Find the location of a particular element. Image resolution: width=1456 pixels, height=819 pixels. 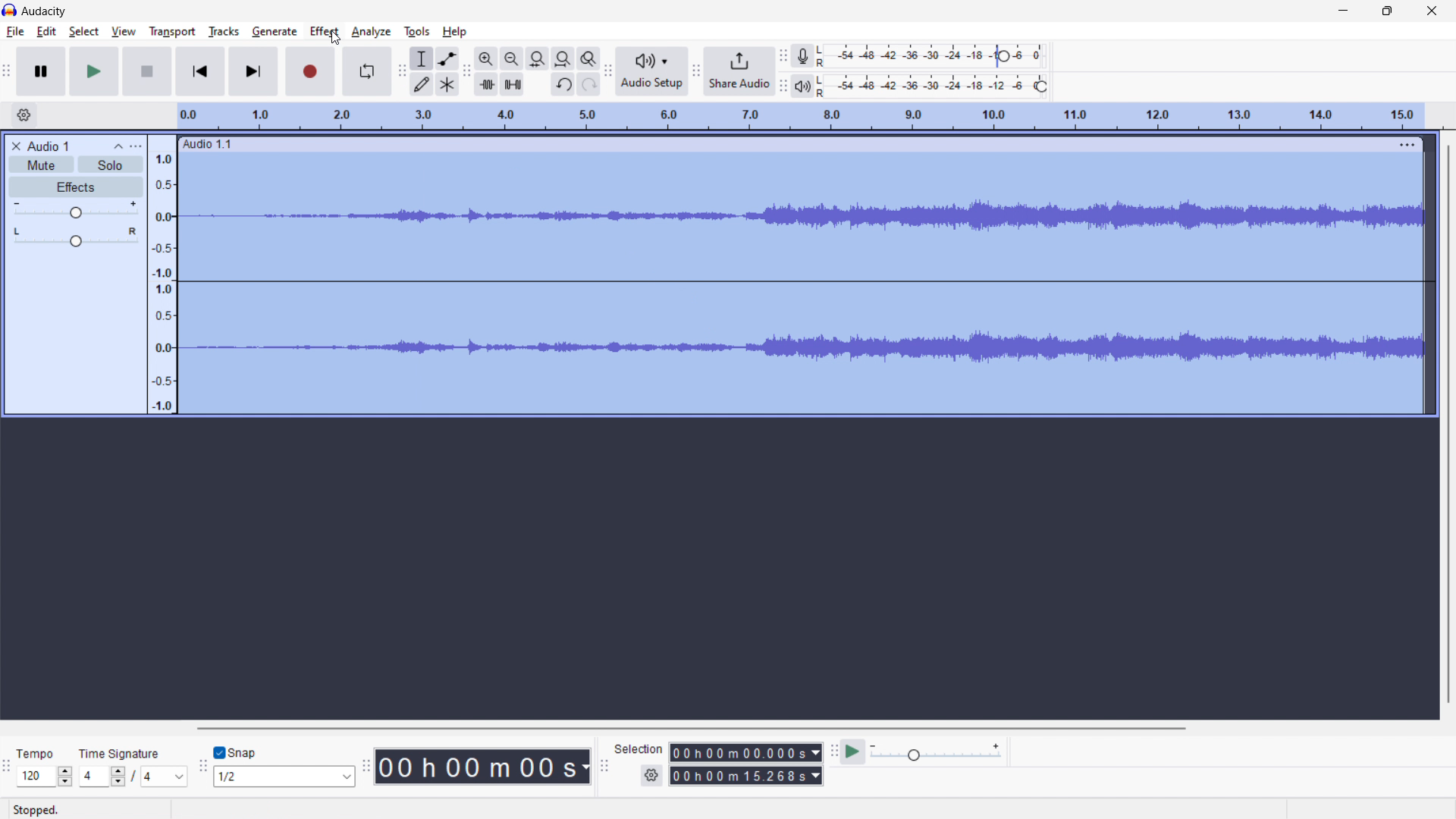

audio track selected is located at coordinates (802, 284).